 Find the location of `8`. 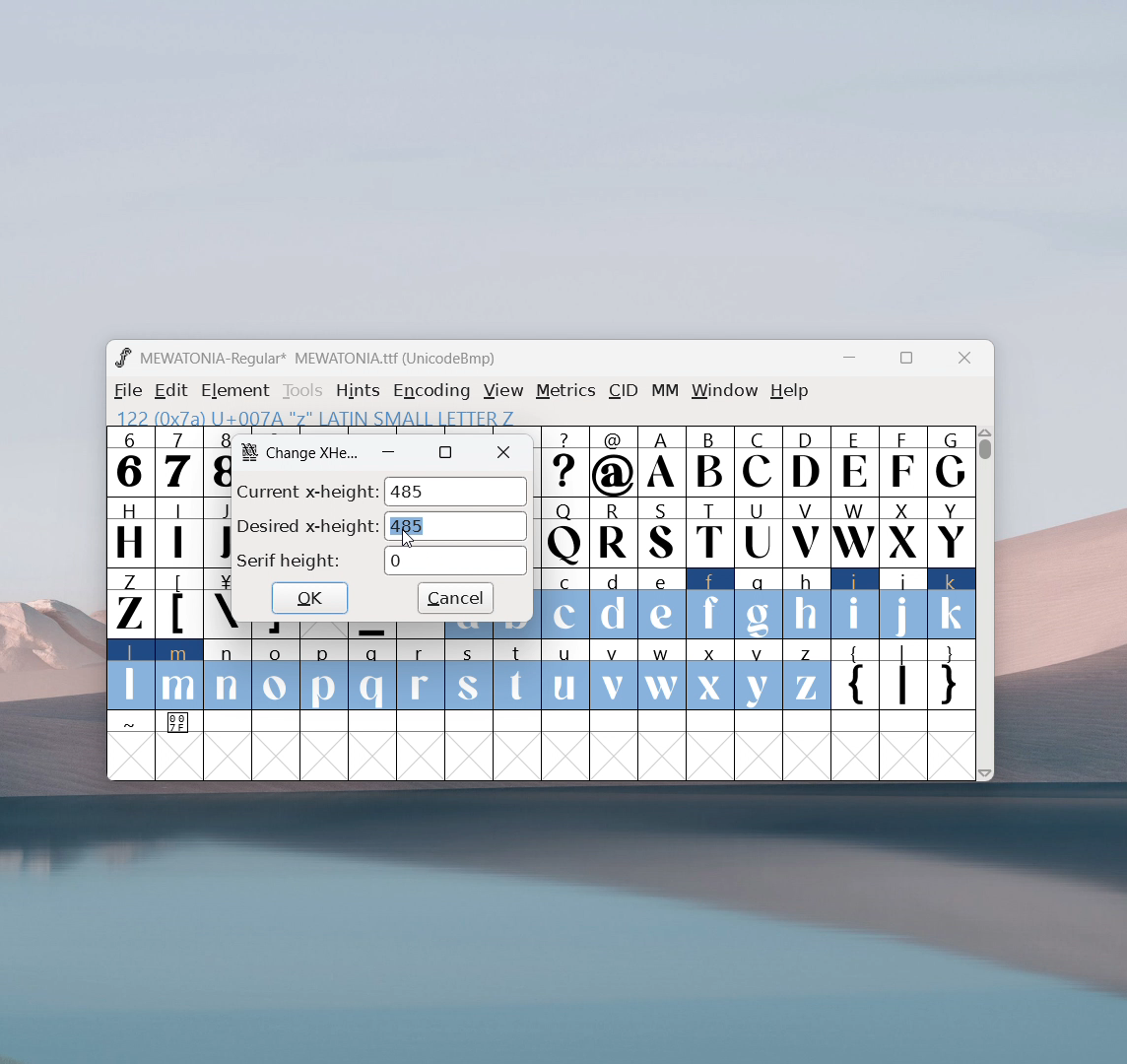

8 is located at coordinates (217, 461).